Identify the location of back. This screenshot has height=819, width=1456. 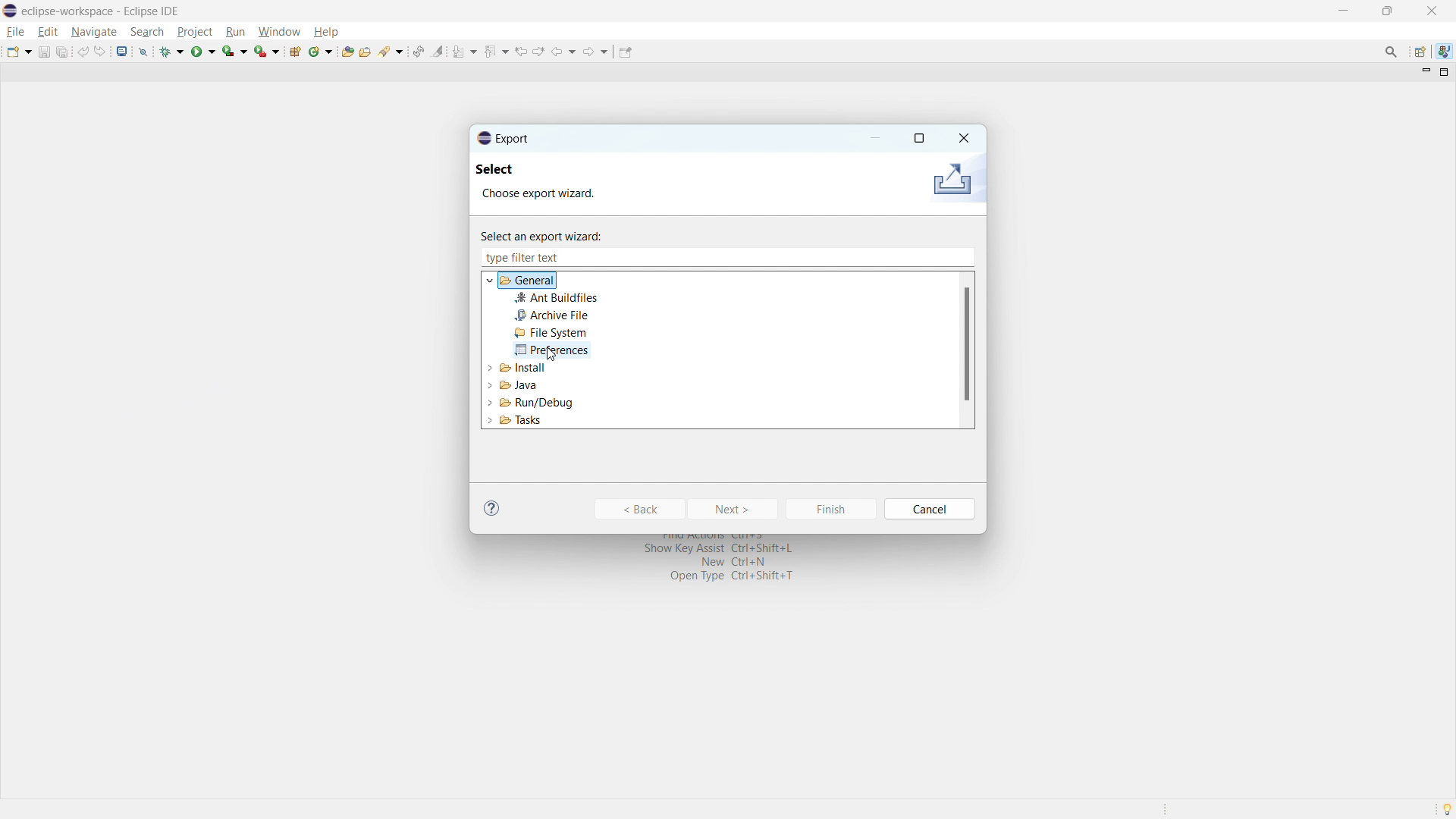
(564, 52).